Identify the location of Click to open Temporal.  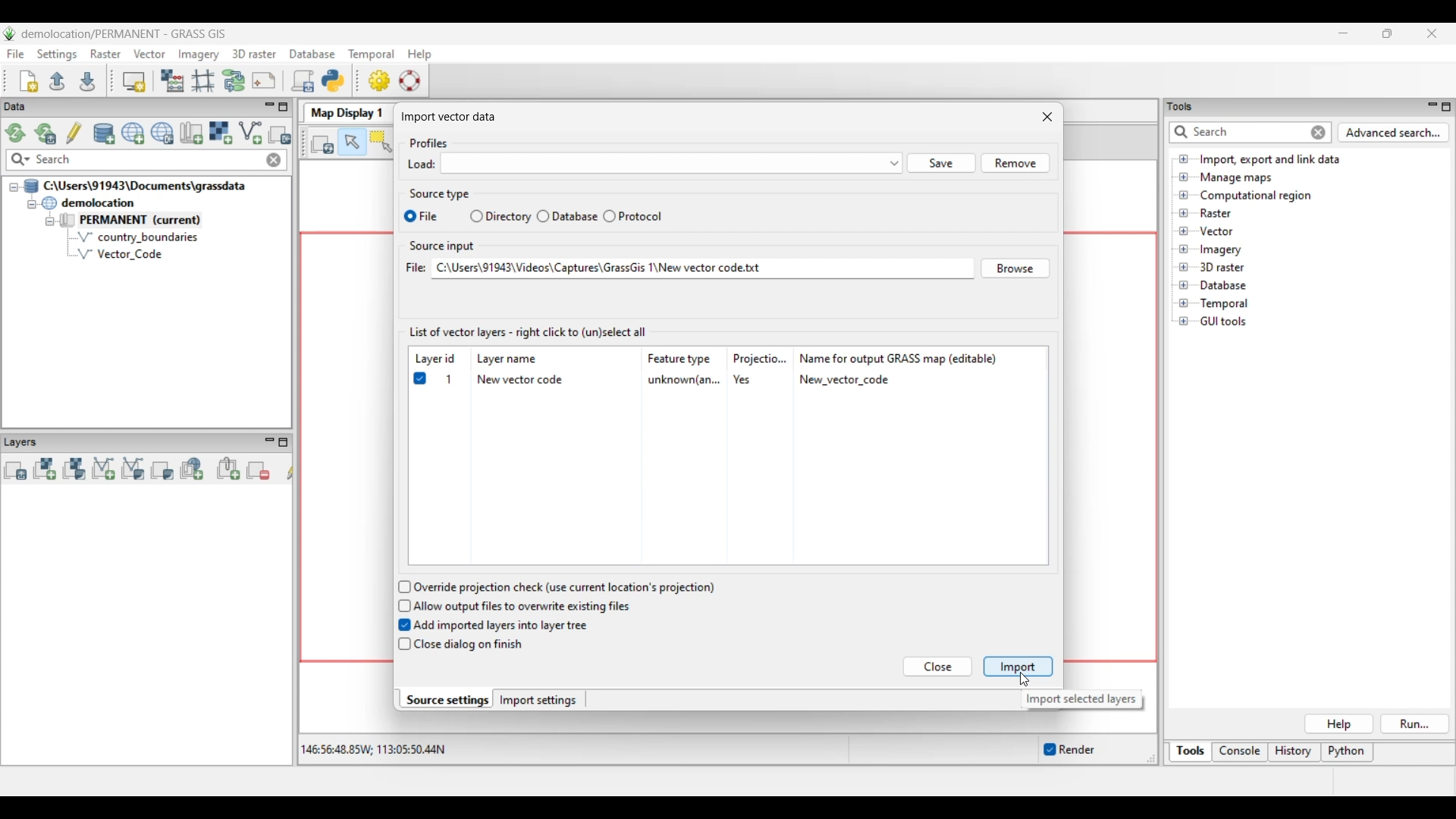
(1184, 303).